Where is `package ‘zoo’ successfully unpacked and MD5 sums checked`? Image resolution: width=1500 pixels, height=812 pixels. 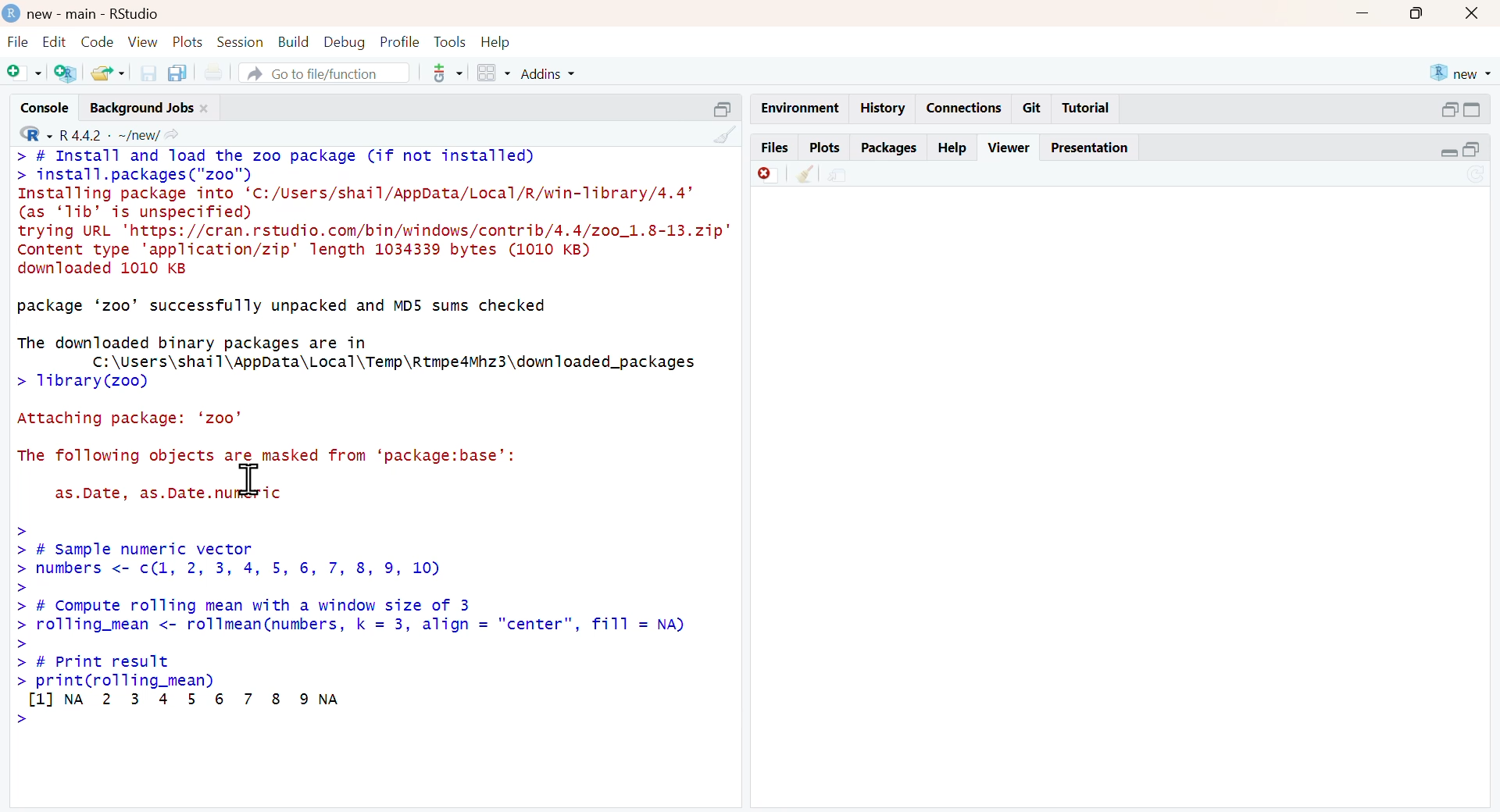 package ‘zoo’ successfully unpacked and MD5 sums checked is located at coordinates (284, 308).